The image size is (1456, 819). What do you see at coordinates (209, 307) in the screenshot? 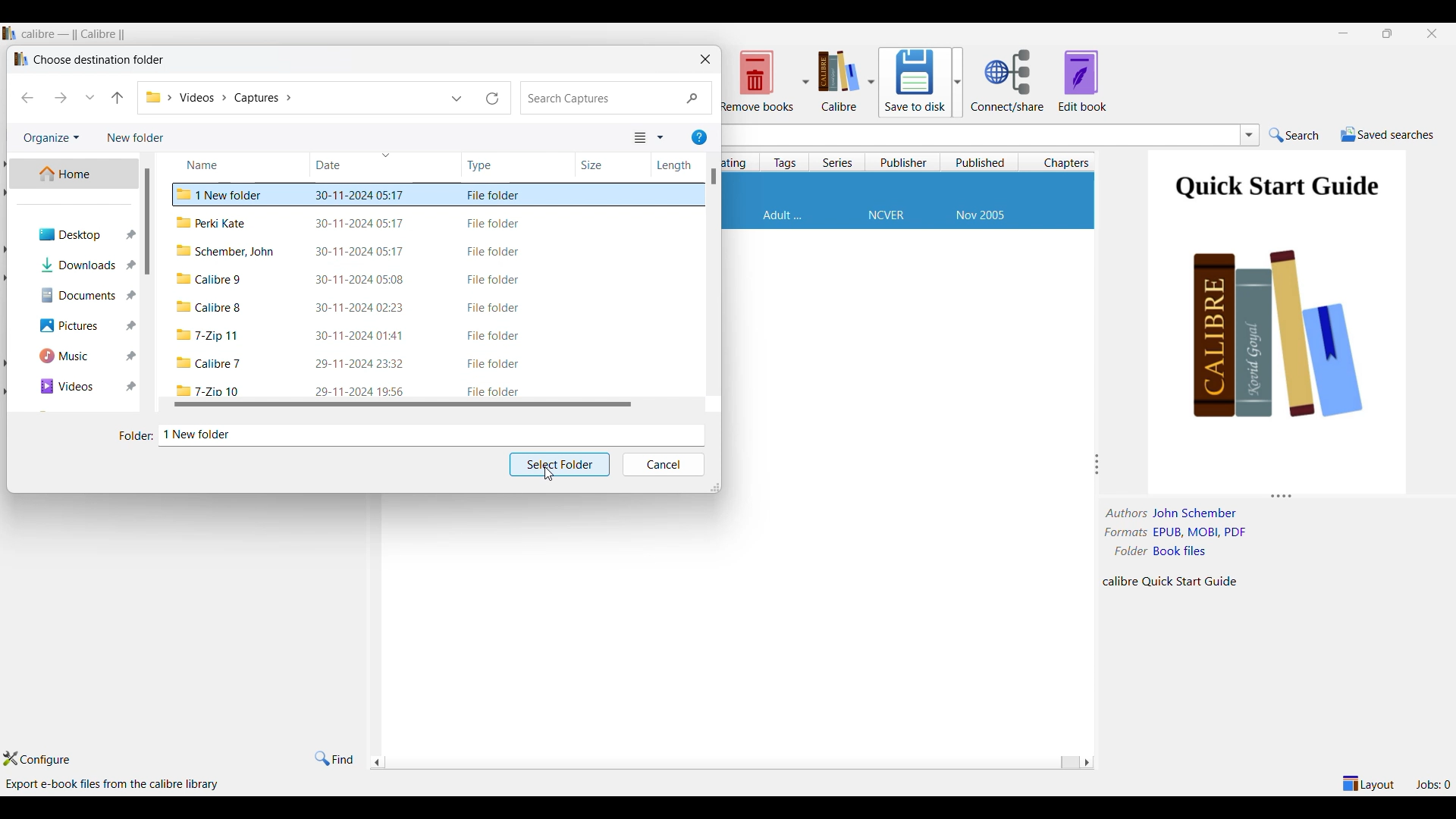
I see `folder` at bounding box center [209, 307].